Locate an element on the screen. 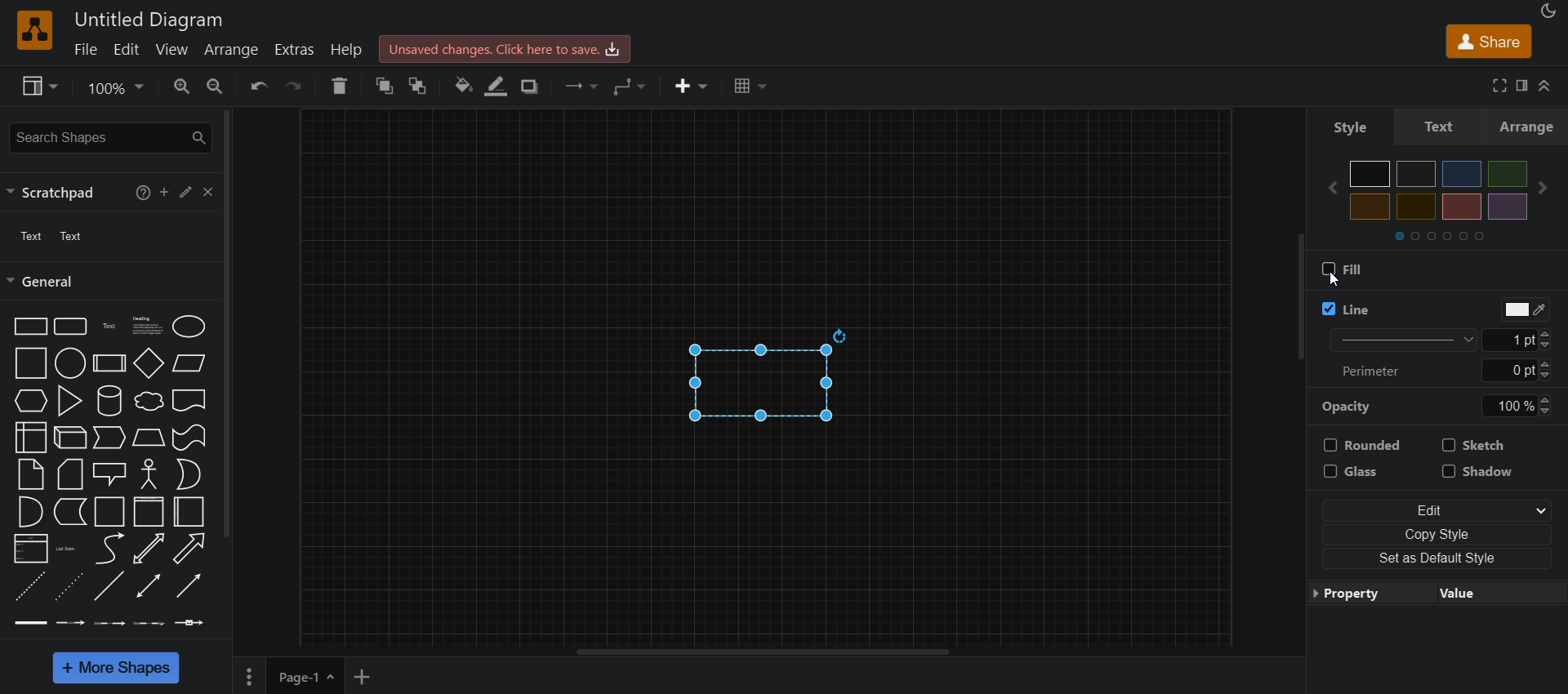 The width and height of the screenshot is (1568, 694). red is located at coordinates (1417, 207).